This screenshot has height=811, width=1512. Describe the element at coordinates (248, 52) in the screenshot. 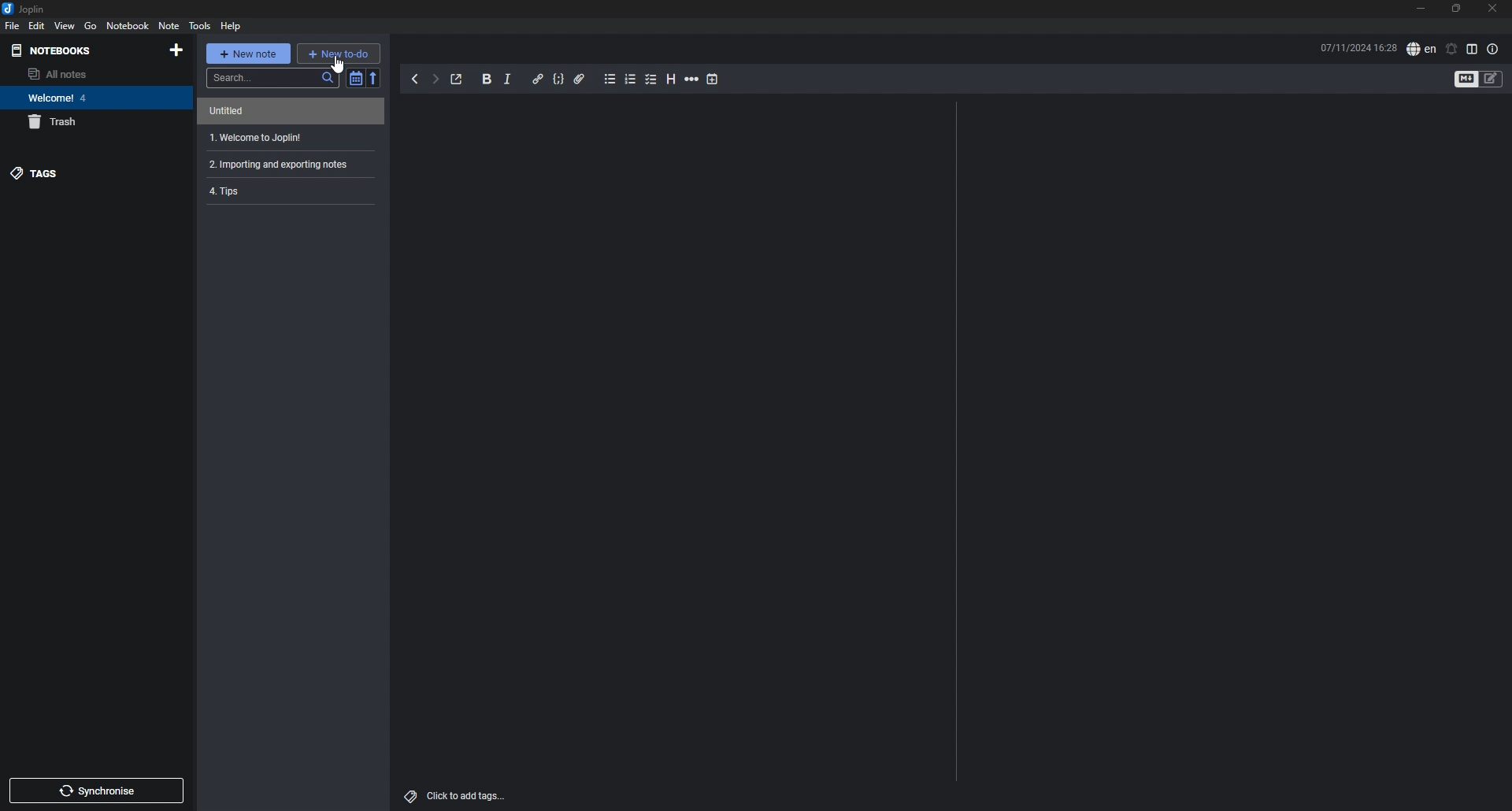

I see `new note` at that location.